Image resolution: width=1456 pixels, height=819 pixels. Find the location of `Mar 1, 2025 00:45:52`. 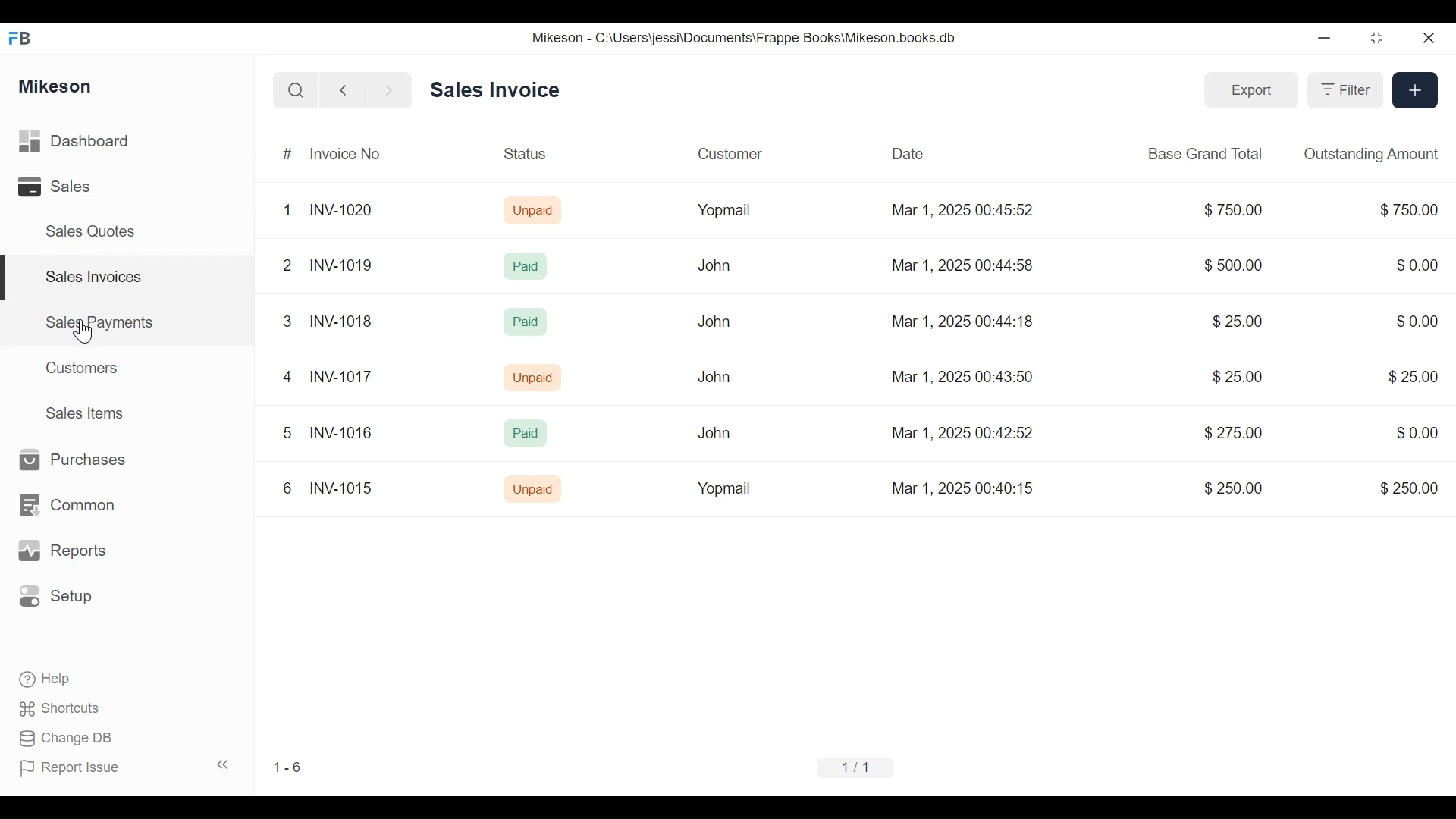

Mar 1, 2025 00:45:52 is located at coordinates (963, 209).